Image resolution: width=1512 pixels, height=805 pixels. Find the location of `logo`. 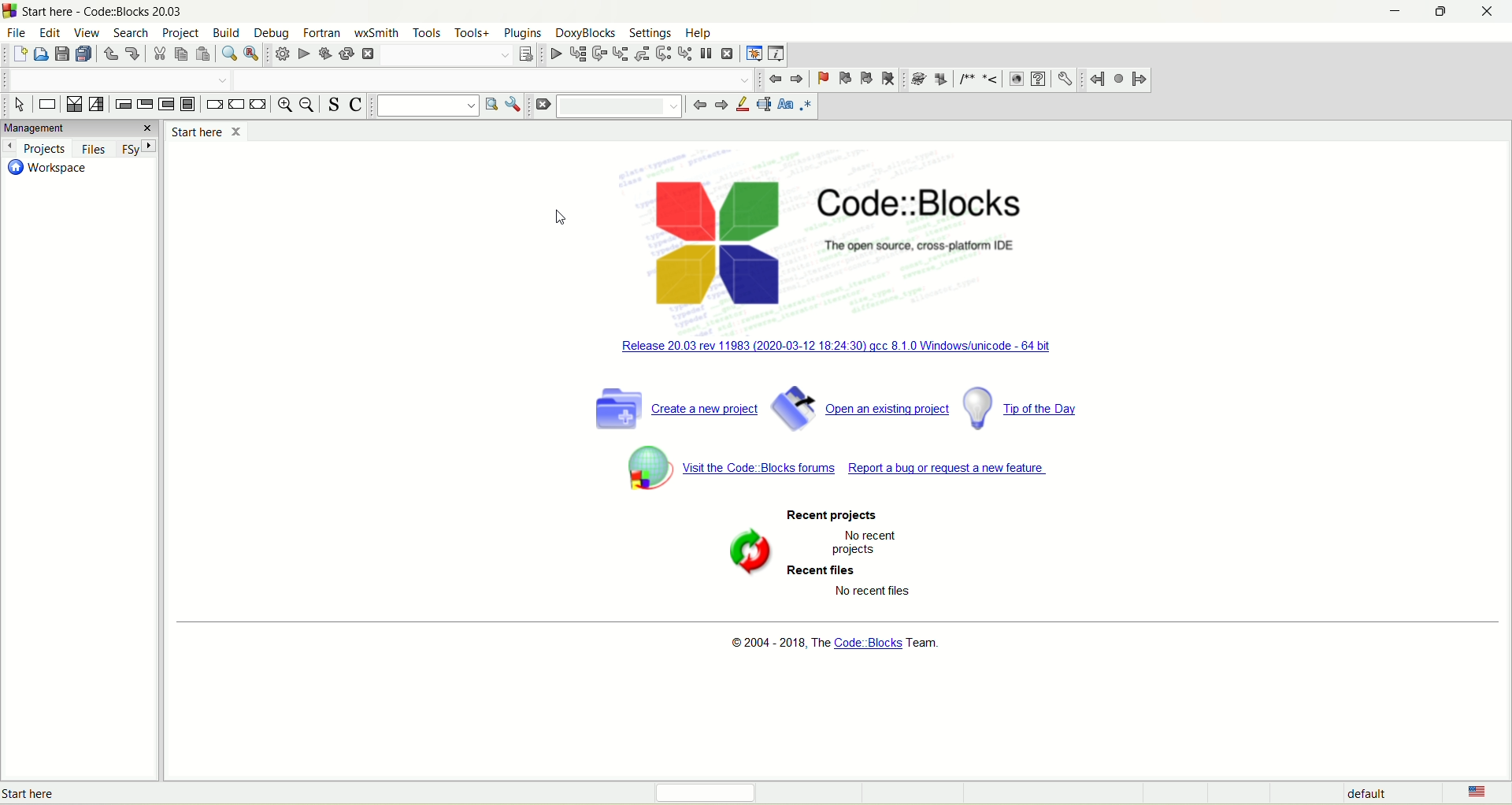

logo is located at coordinates (698, 239).